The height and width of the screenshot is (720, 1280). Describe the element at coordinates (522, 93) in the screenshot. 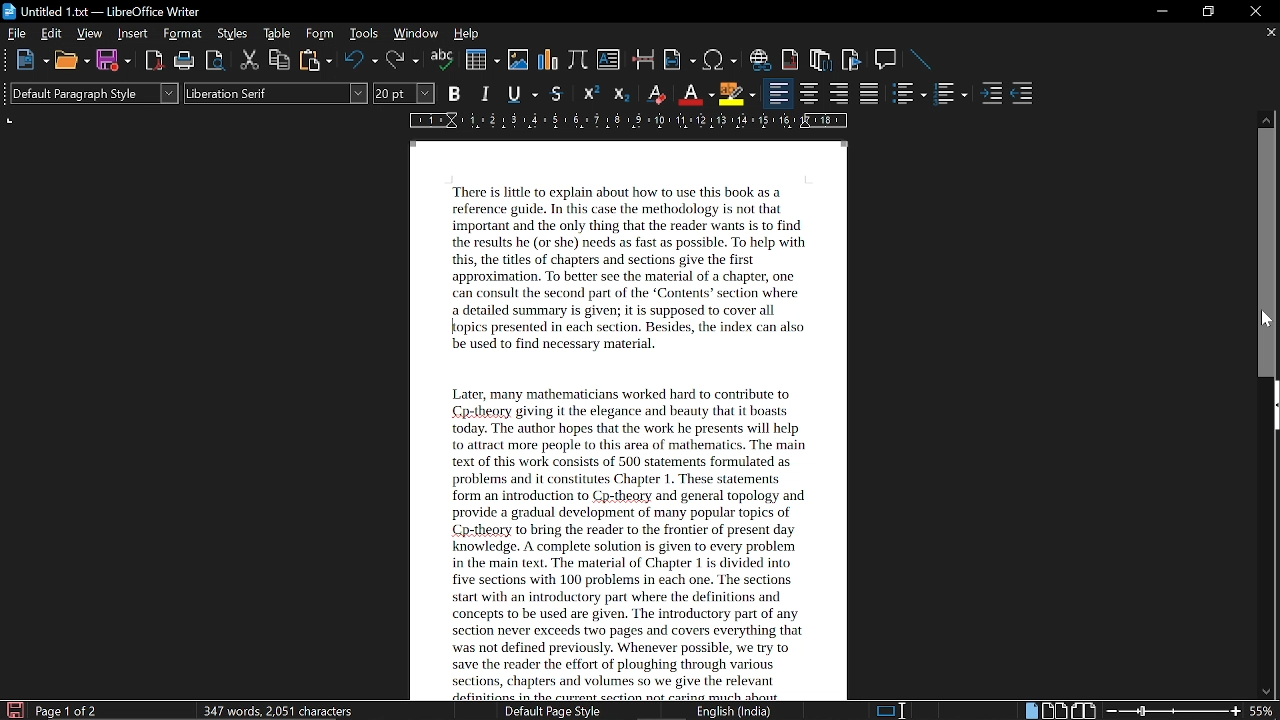

I see `underline` at that location.